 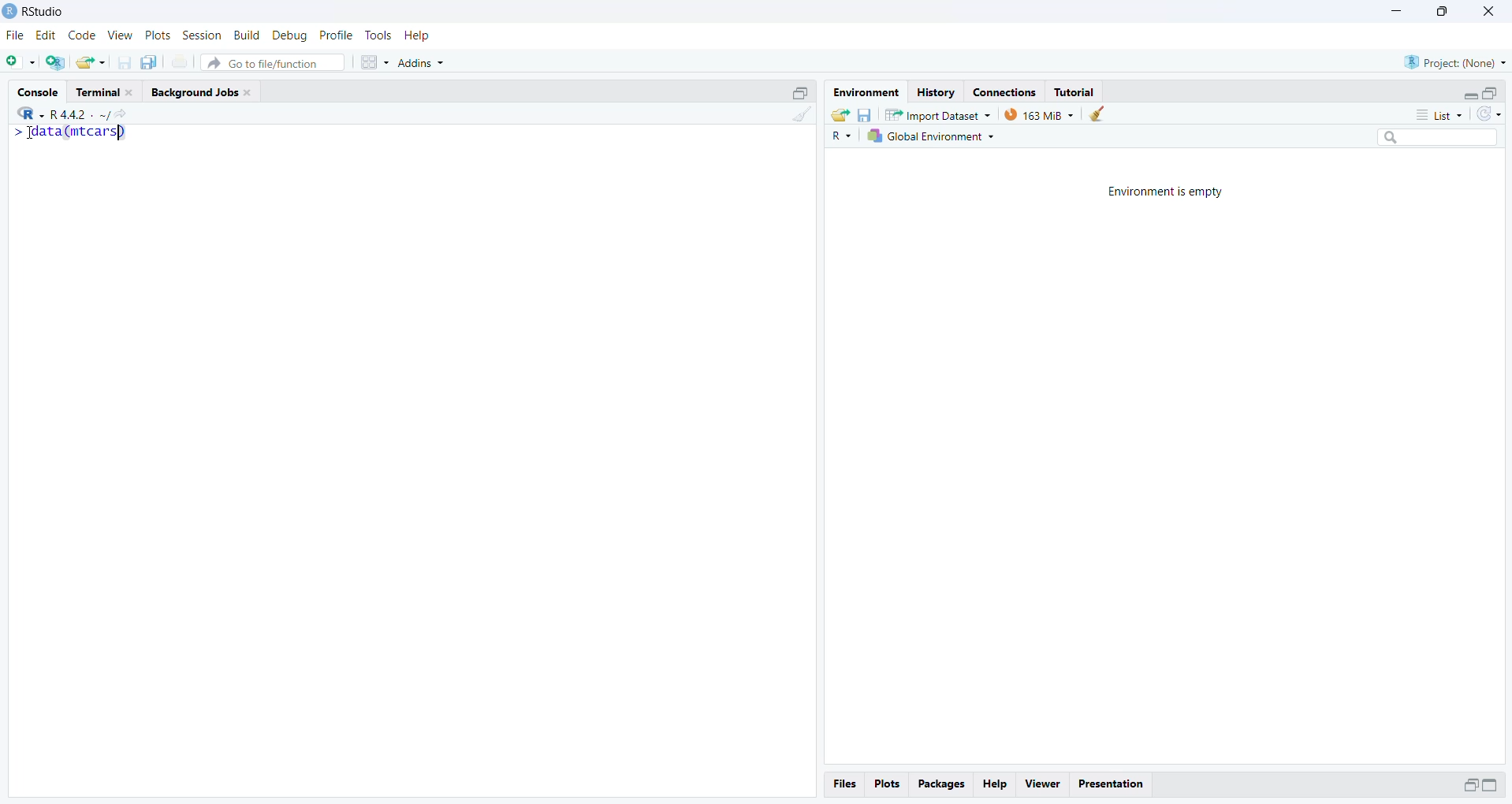 What do you see at coordinates (1442, 115) in the screenshot?
I see `list` at bounding box center [1442, 115].